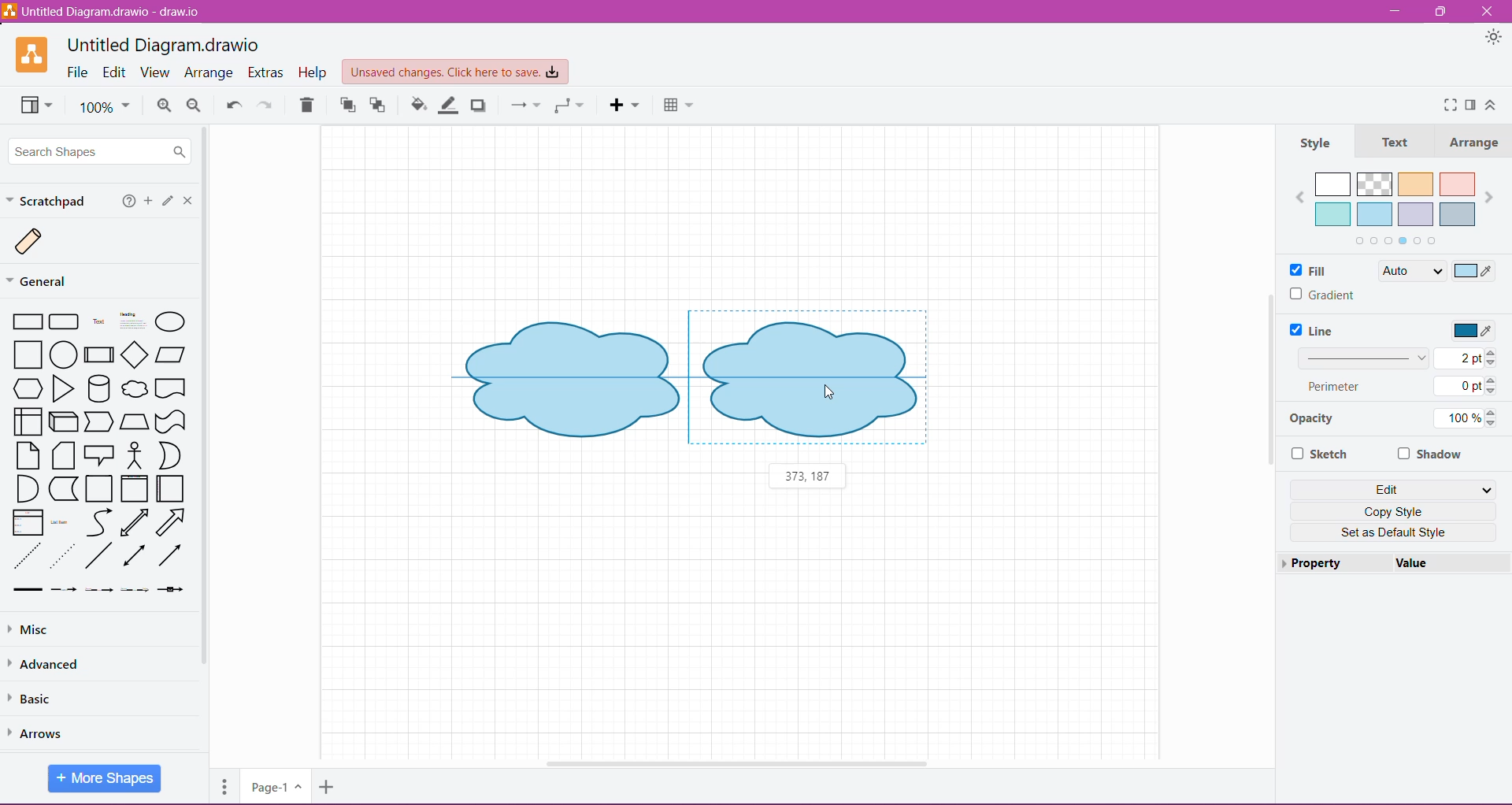 The width and height of the screenshot is (1512, 805). What do you see at coordinates (625, 106) in the screenshot?
I see `Insert` at bounding box center [625, 106].